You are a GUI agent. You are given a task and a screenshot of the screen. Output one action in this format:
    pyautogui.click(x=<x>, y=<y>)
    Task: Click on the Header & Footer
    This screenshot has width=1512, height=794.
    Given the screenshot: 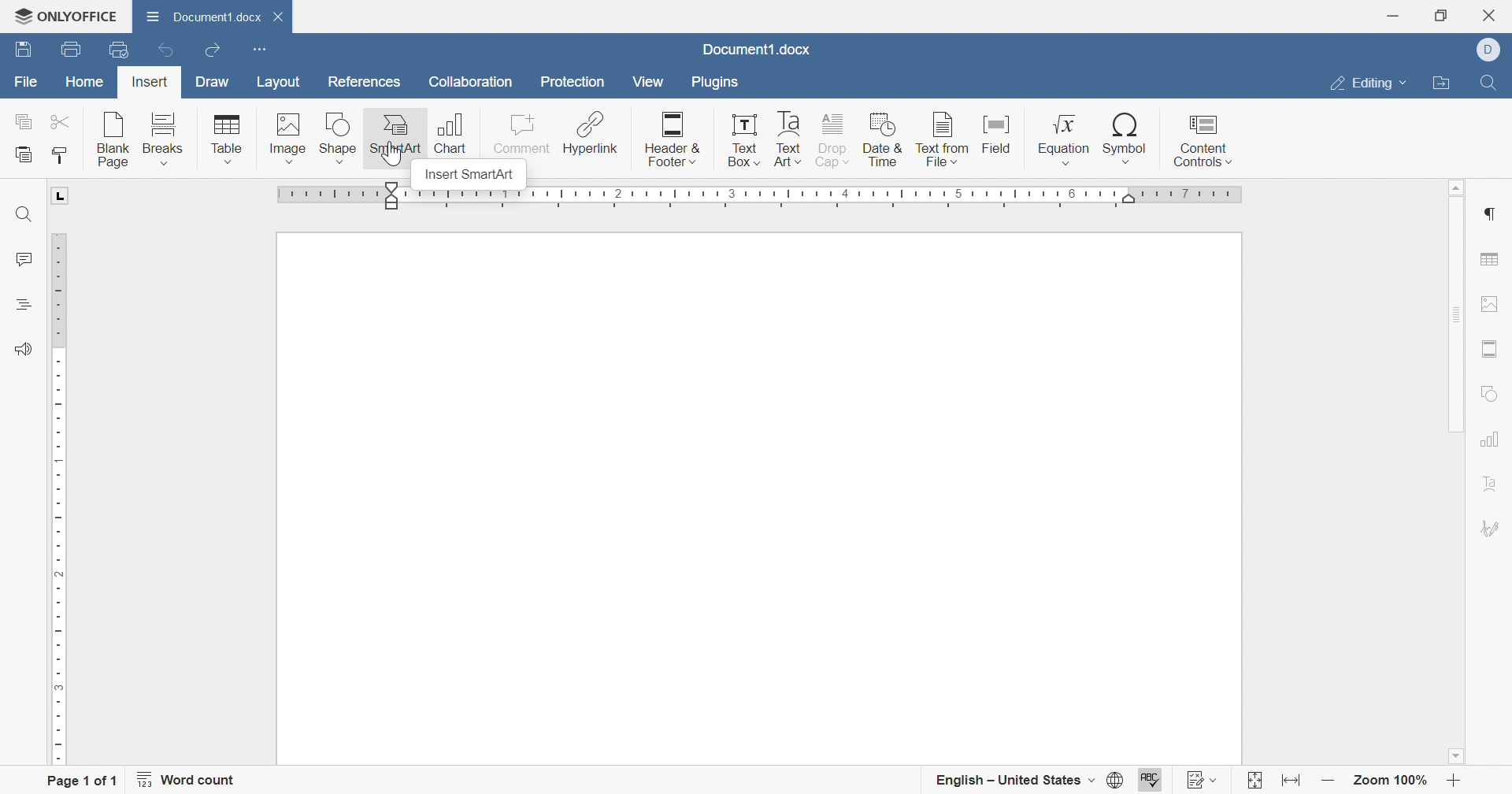 What is the action you would take?
    pyautogui.click(x=673, y=140)
    